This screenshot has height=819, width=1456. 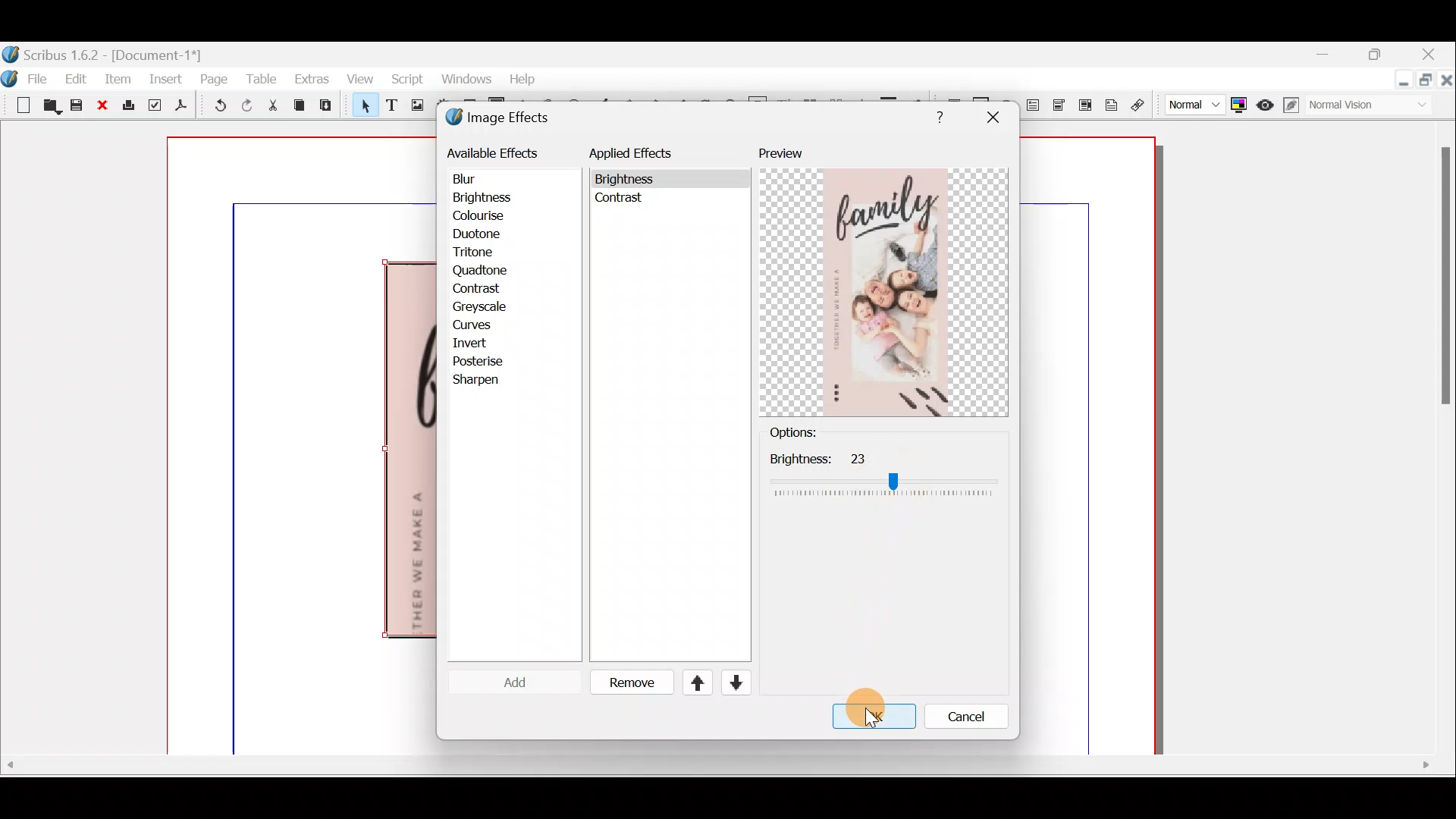 What do you see at coordinates (329, 107) in the screenshot?
I see `Paste` at bounding box center [329, 107].